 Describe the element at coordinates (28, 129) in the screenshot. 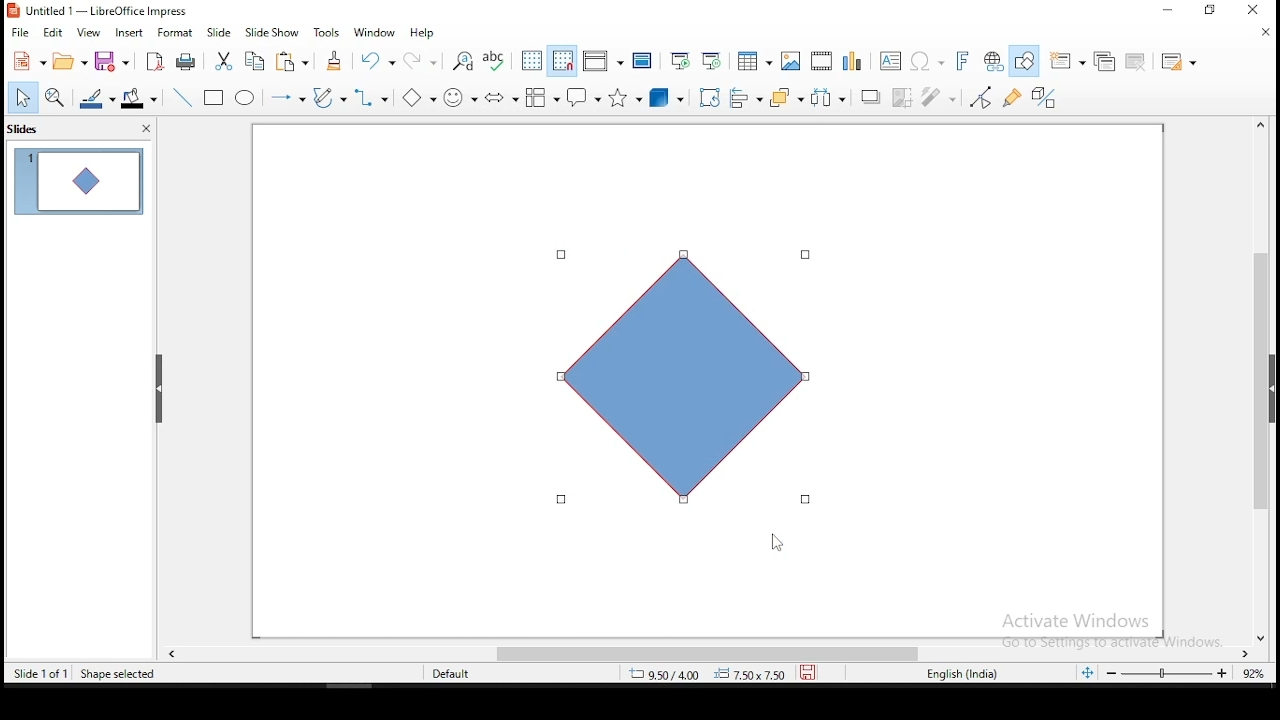

I see `slides` at that location.